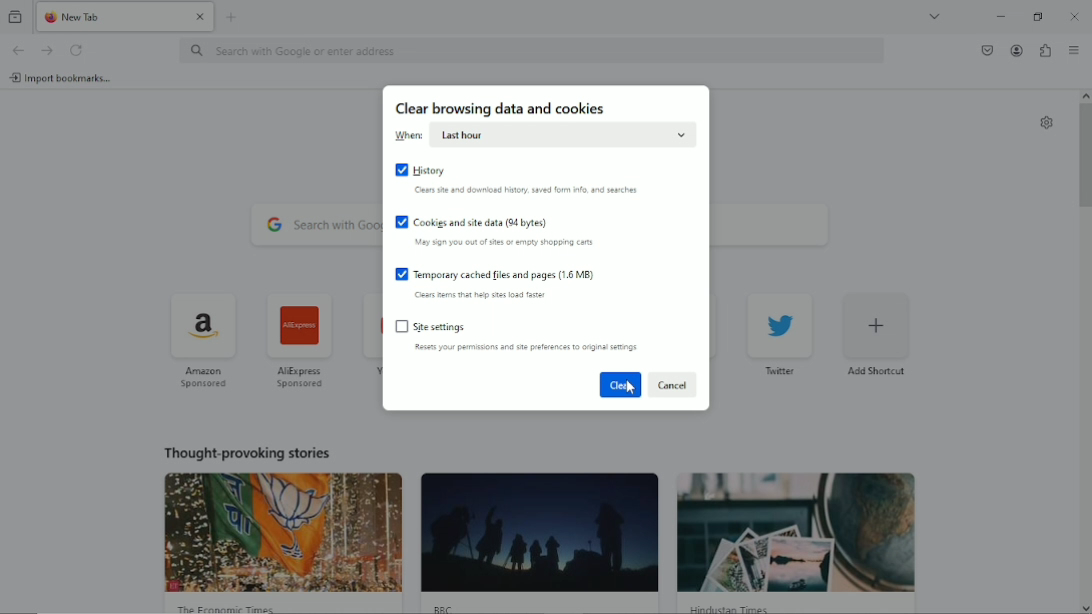 The height and width of the screenshot is (614, 1092). Describe the element at coordinates (539, 533) in the screenshot. I see `image` at that location.